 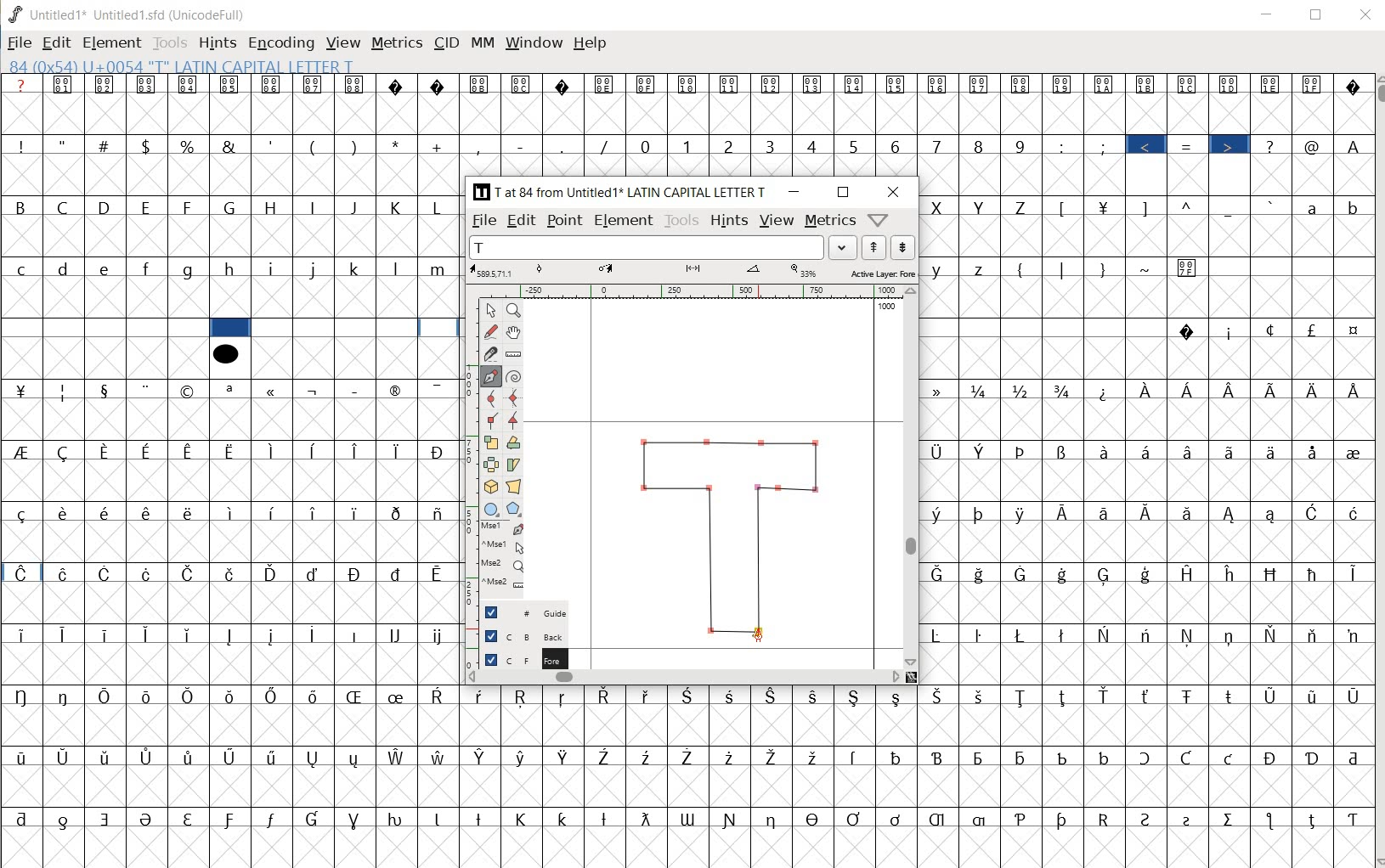 I want to click on Symbol, so click(x=150, y=696).